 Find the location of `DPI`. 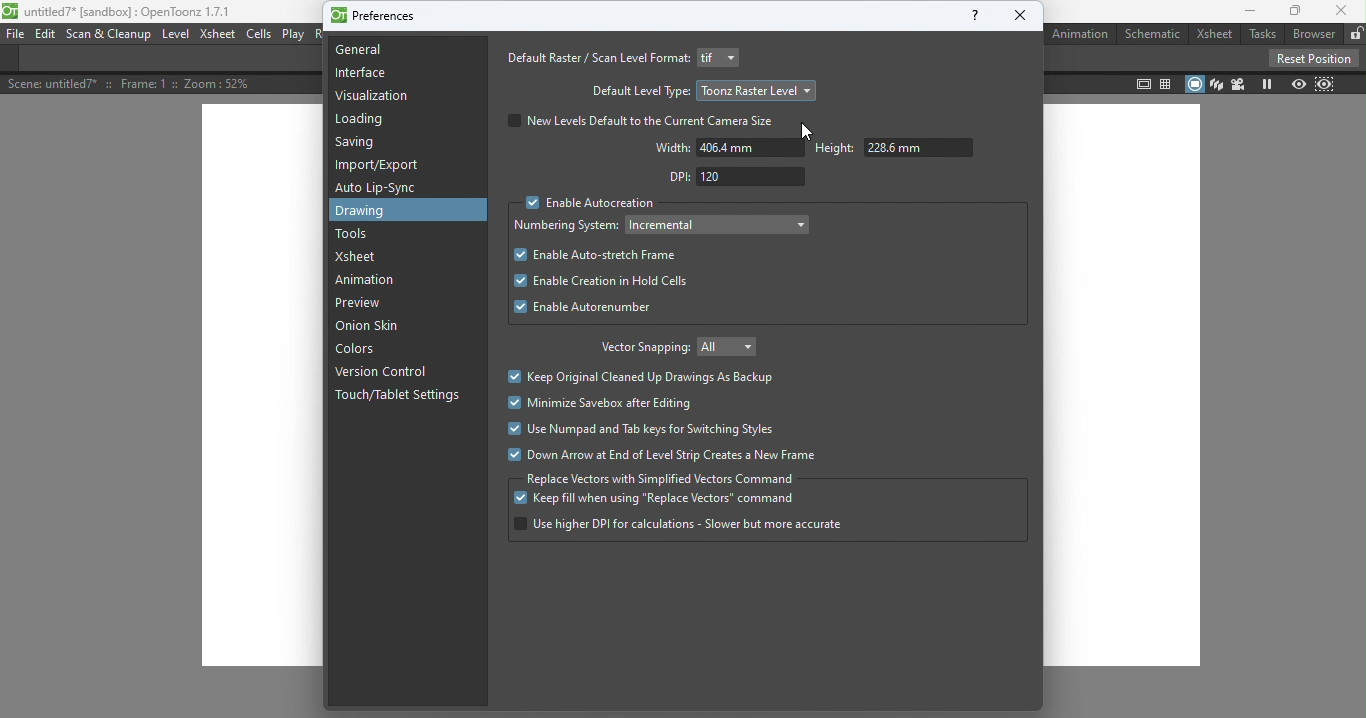

DPI is located at coordinates (734, 177).